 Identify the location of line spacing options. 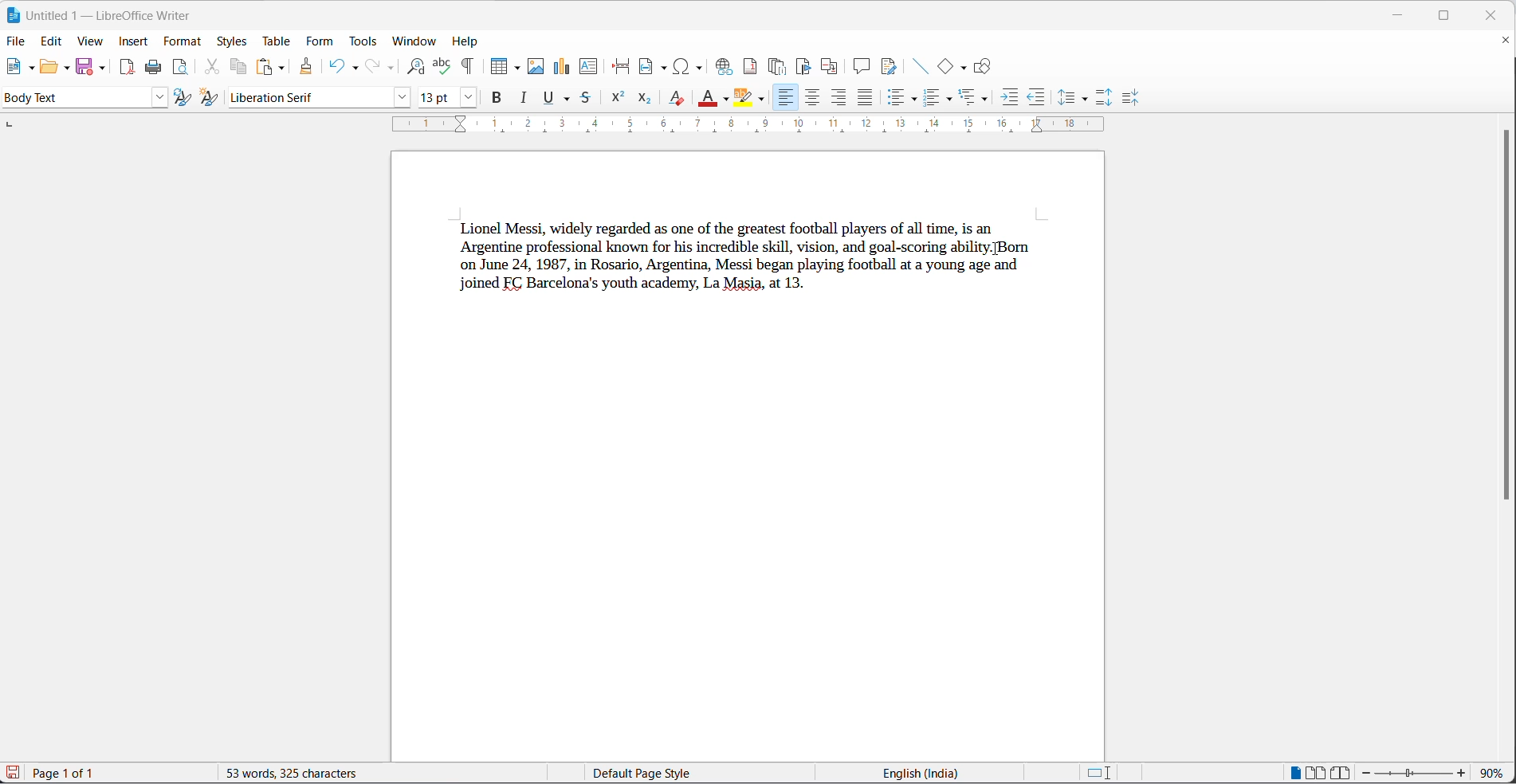
(1087, 97).